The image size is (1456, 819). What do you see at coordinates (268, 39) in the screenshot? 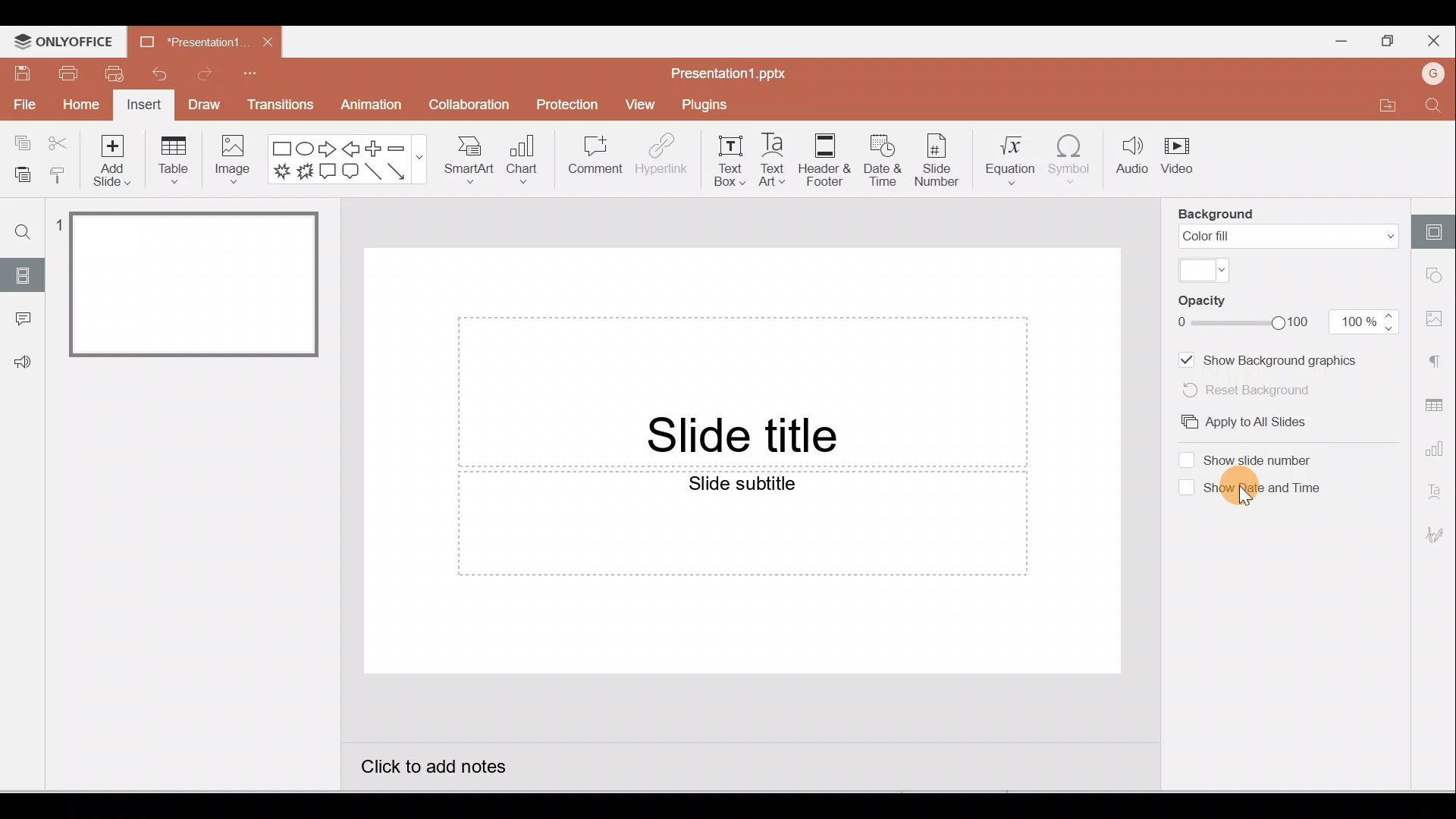
I see `Close` at bounding box center [268, 39].